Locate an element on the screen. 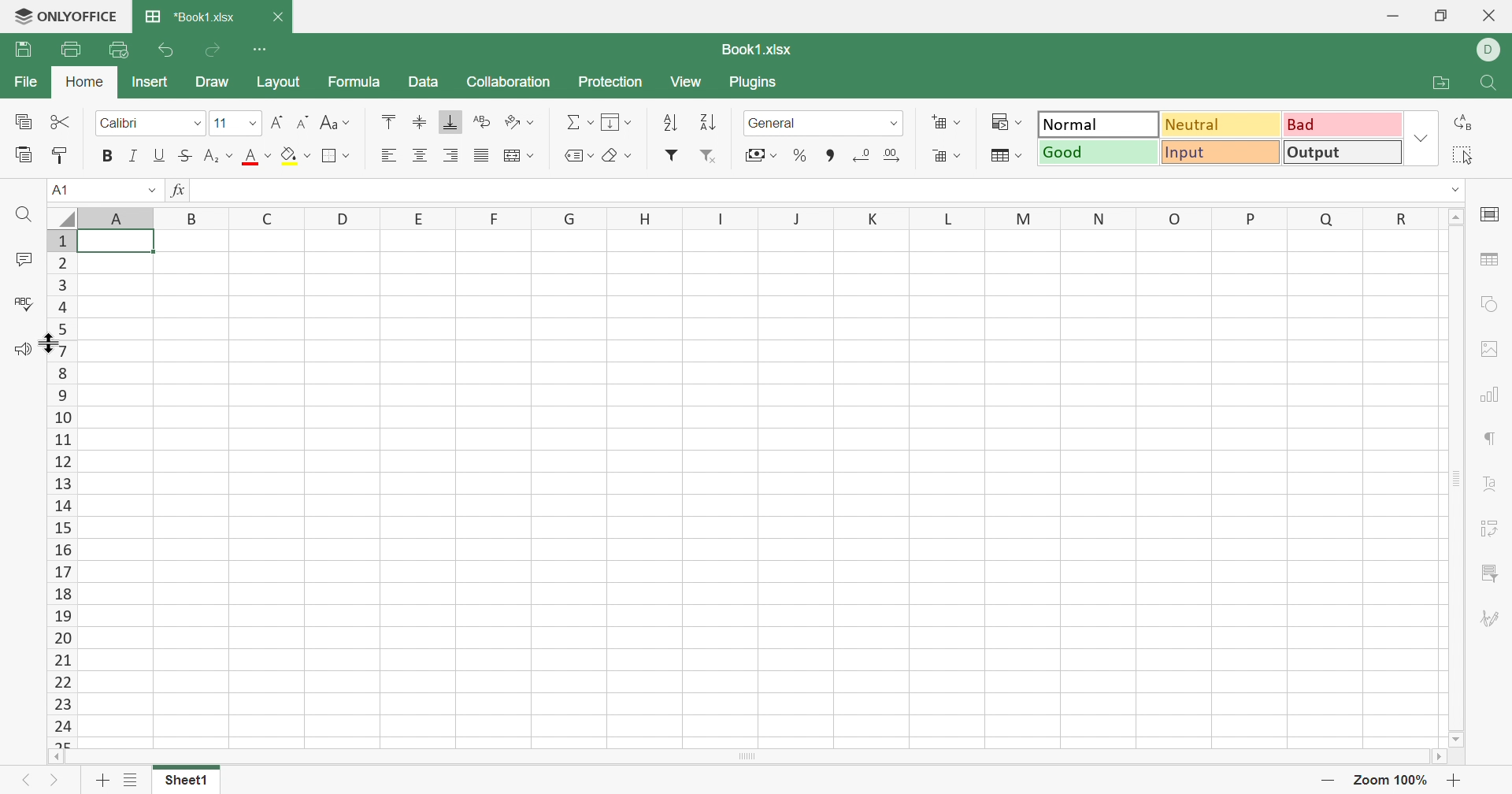 This screenshot has height=794, width=1512. Format as table template is located at coordinates (1004, 154).